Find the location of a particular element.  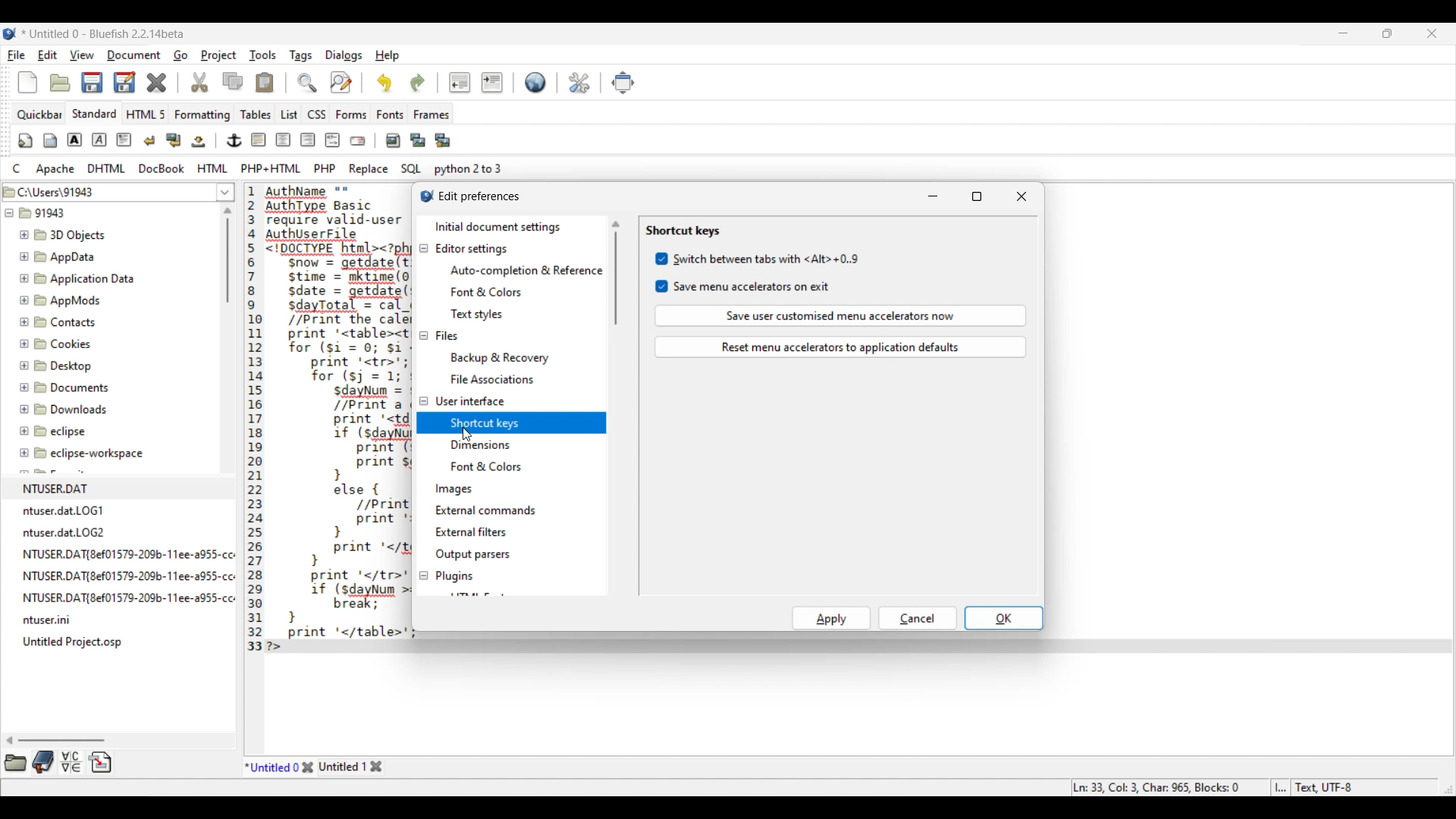

BF eclipse is located at coordinates (72, 431).